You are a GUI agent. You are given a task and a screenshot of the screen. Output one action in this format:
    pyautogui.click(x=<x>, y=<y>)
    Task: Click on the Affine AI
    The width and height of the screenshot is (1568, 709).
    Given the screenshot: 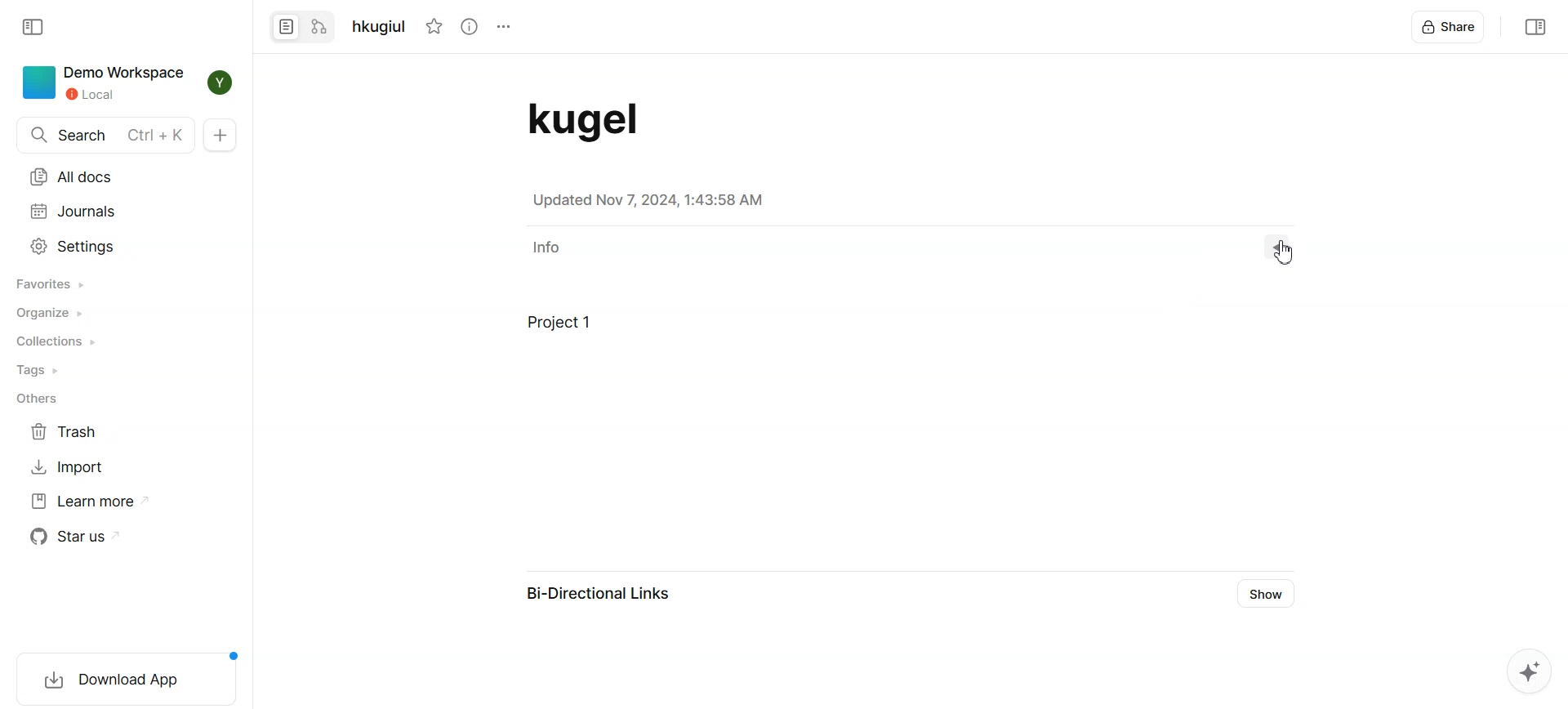 What is the action you would take?
    pyautogui.click(x=1528, y=670)
    